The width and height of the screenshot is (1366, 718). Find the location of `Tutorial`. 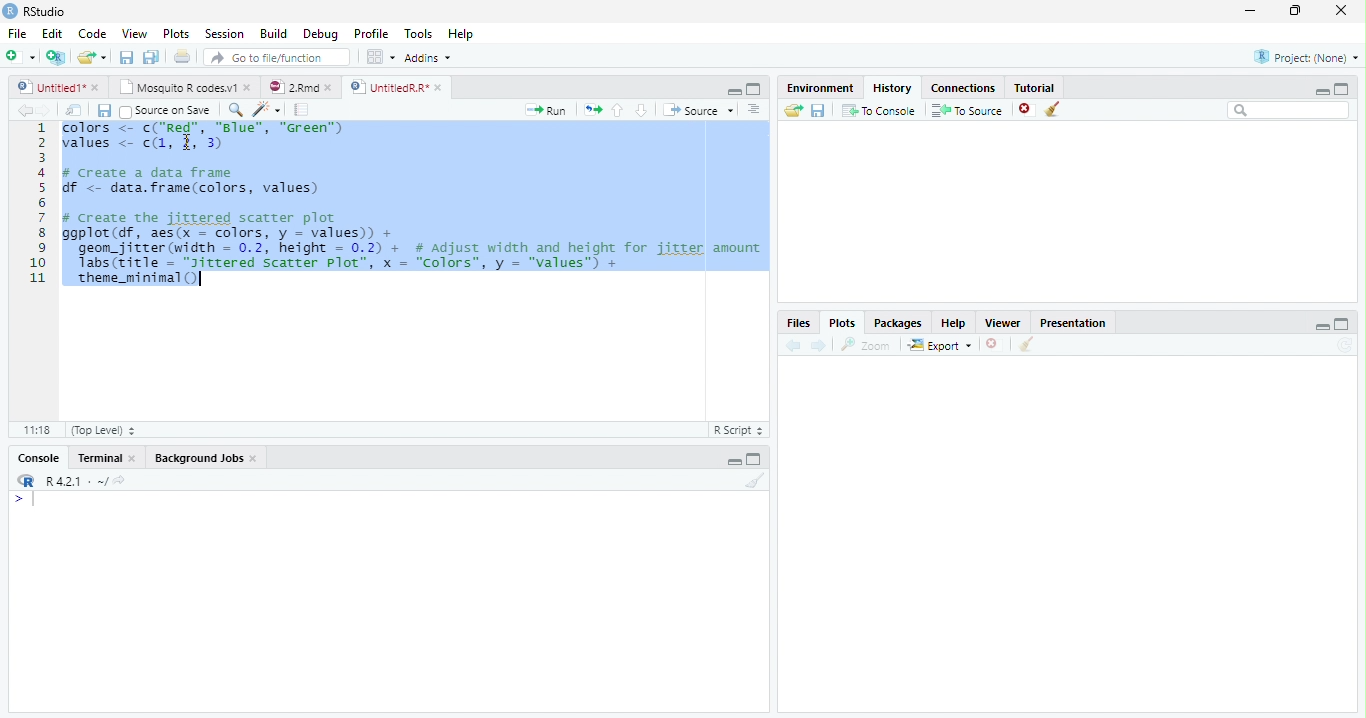

Tutorial is located at coordinates (1035, 87).